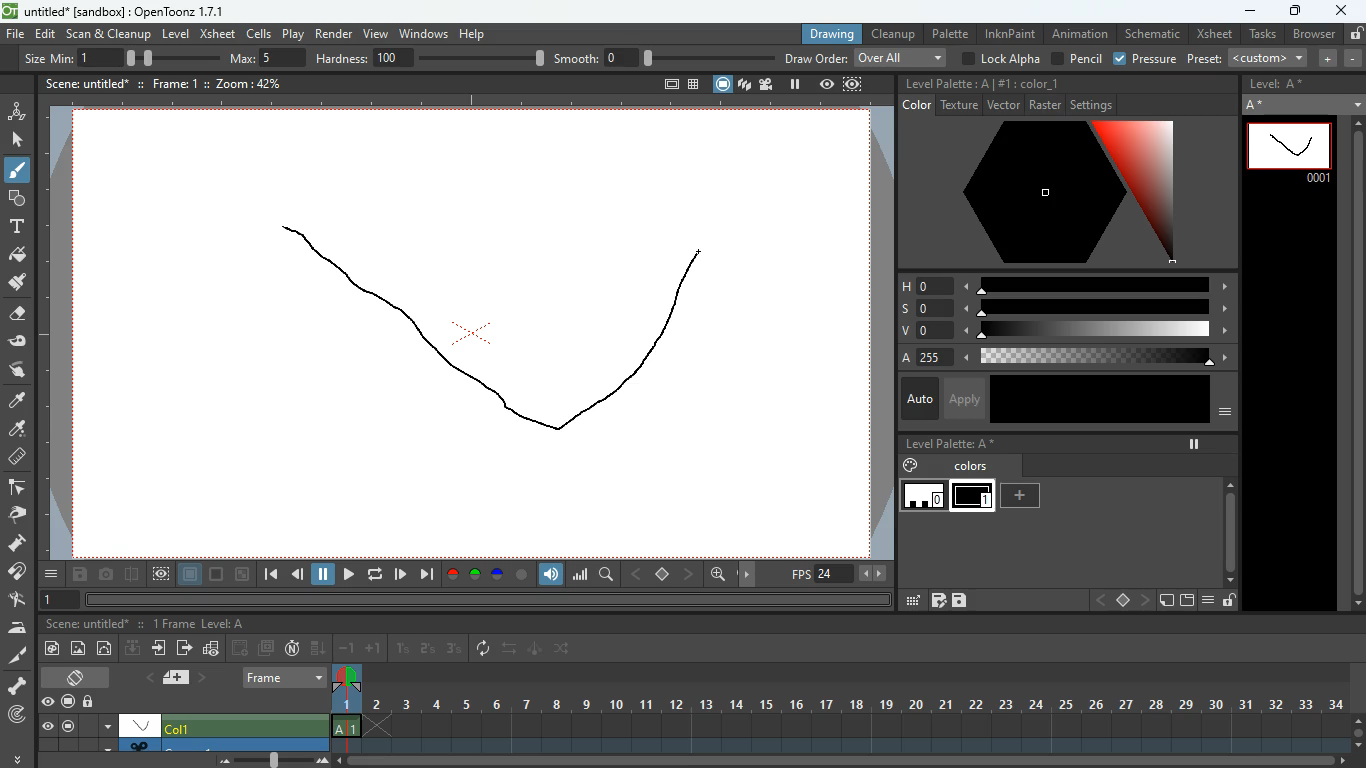 The width and height of the screenshot is (1366, 768). Describe the element at coordinates (17, 544) in the screenshot. I see `pump` at that location.